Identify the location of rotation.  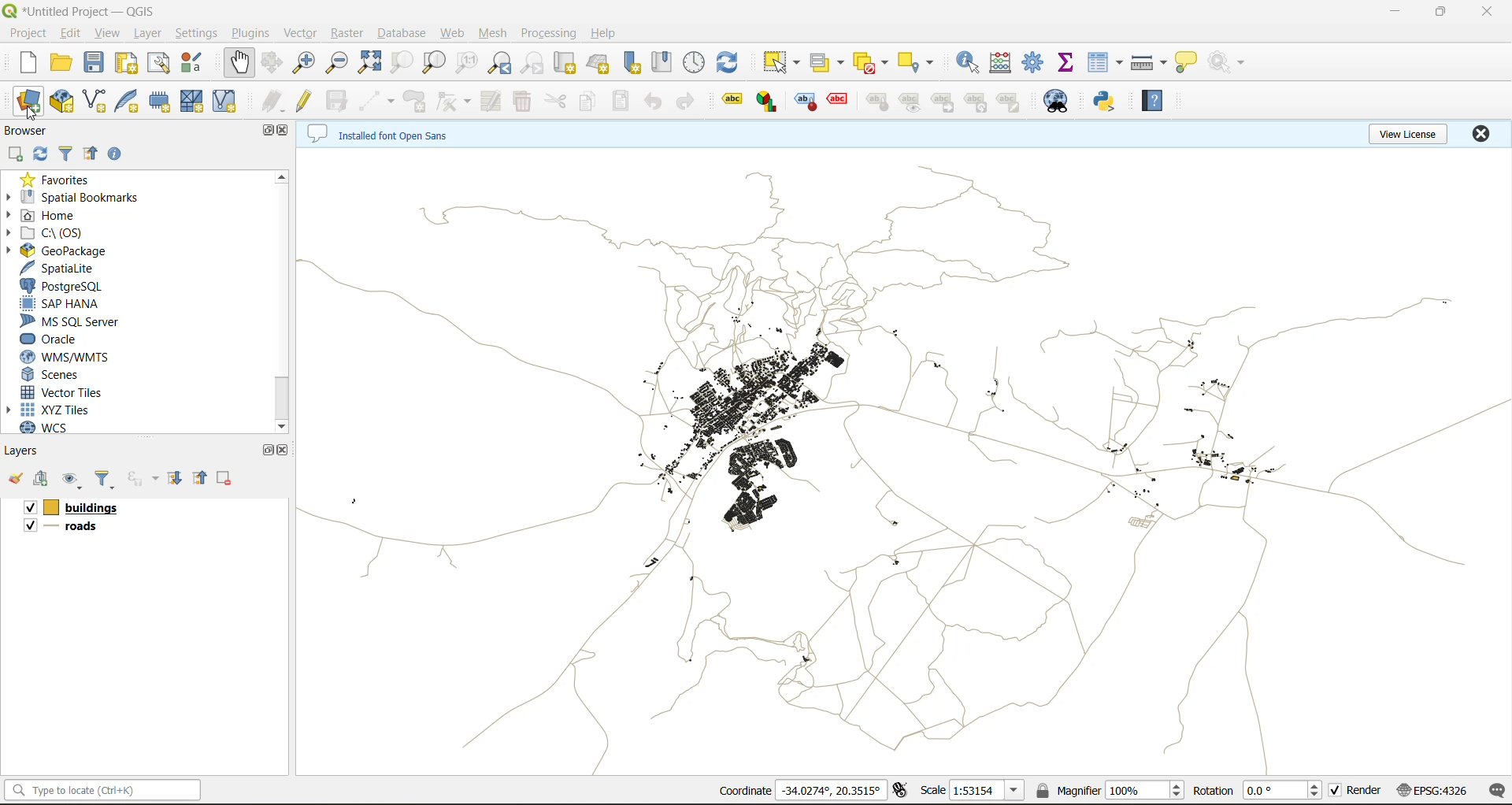
(1285, 791).